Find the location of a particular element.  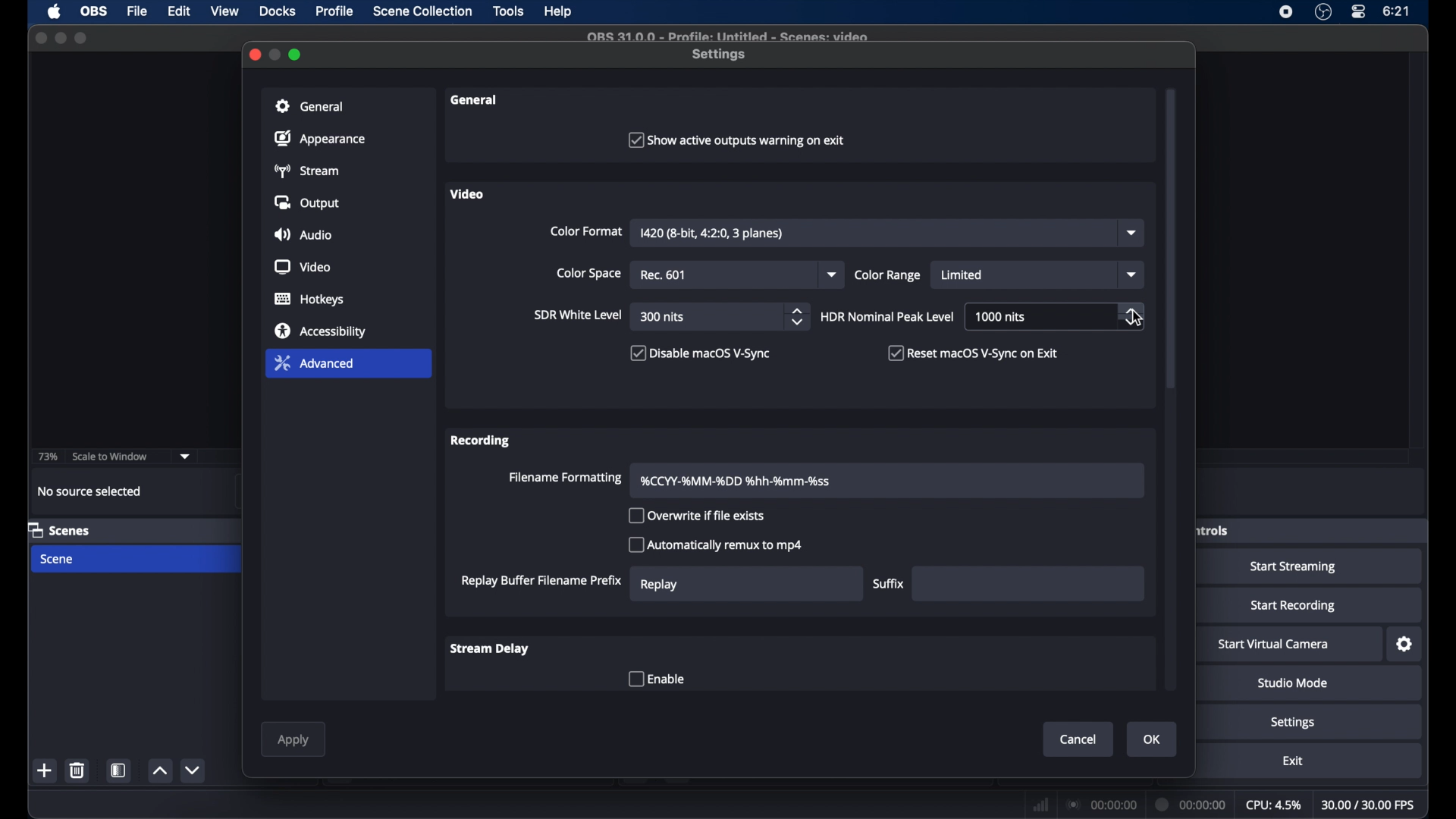

Show active outputs warning on exit is located at coordinates (739, 140).